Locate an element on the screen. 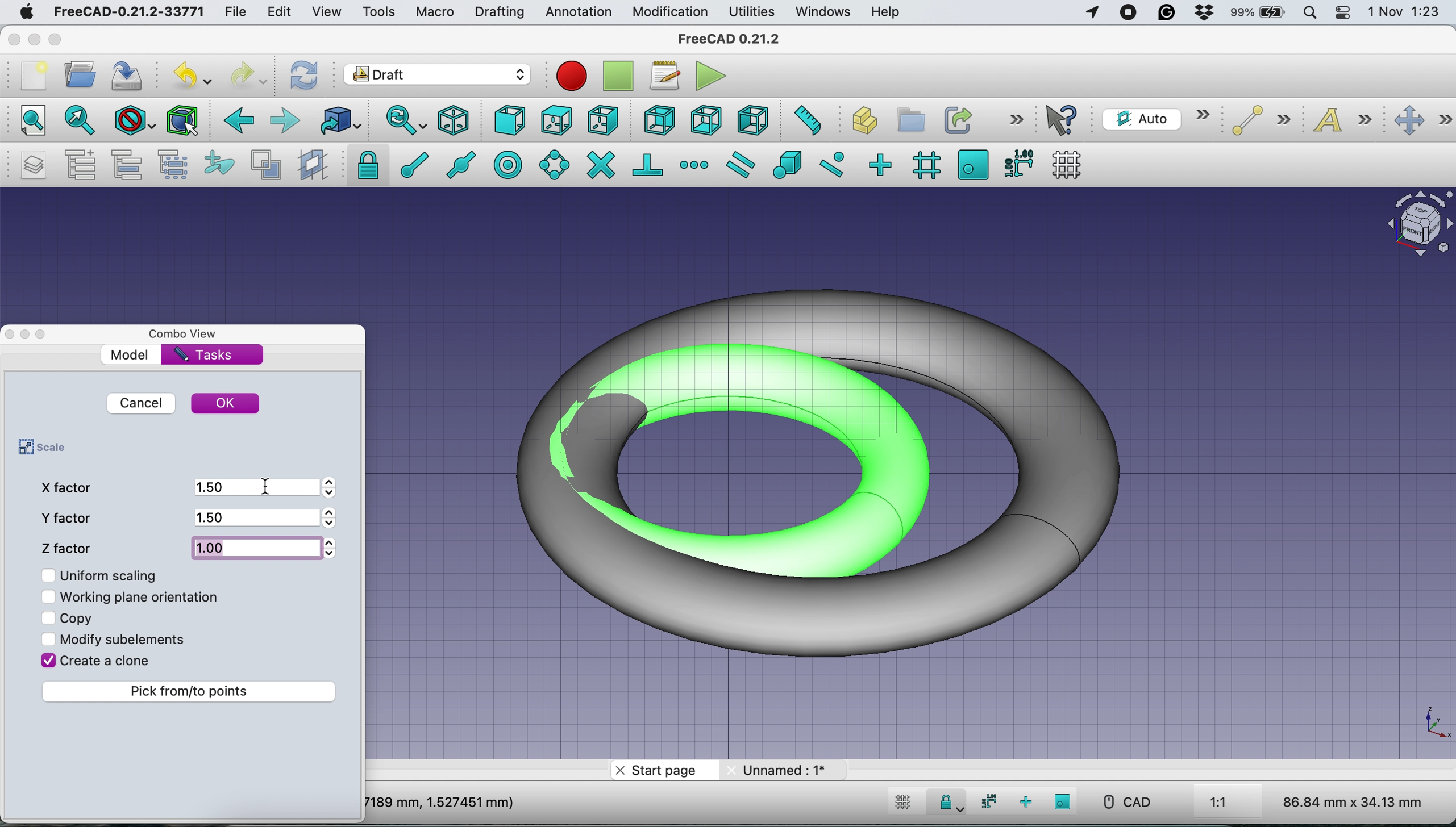 The image size is (1456, 827). 1.5 is located at coordinates (253, 486).